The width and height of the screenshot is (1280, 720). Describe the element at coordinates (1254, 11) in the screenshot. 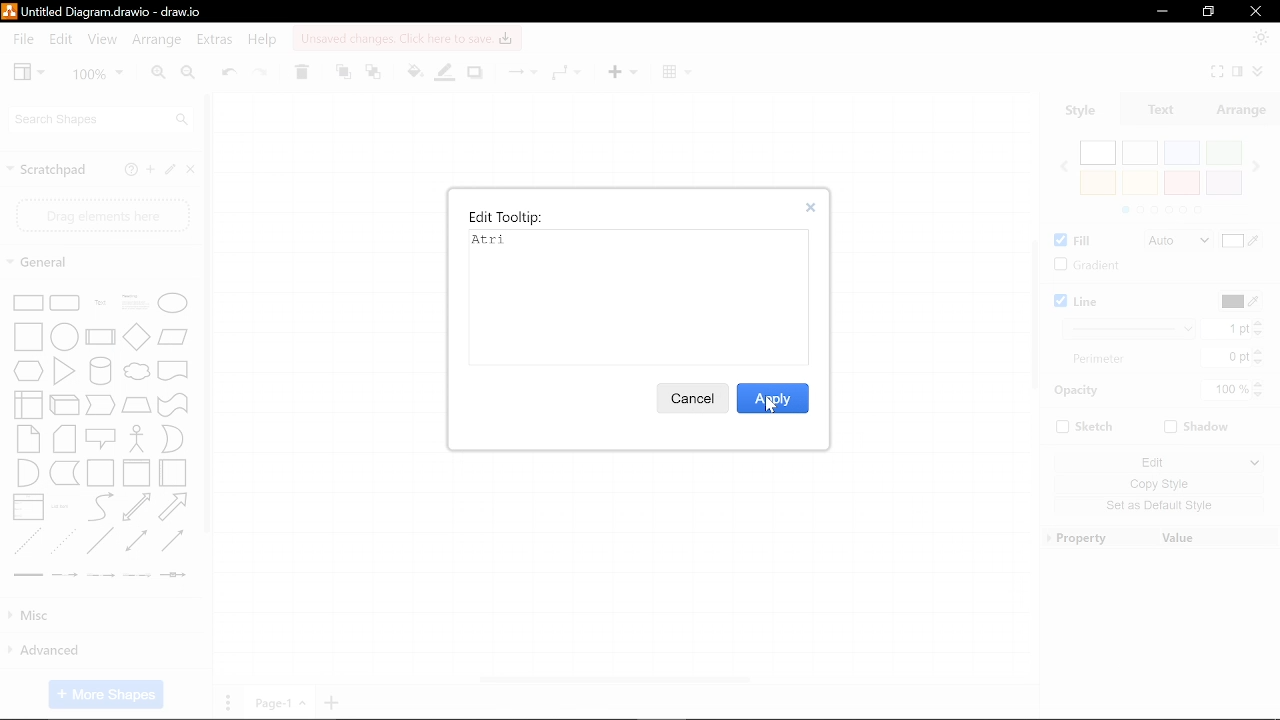

I see `Close window` at that location.